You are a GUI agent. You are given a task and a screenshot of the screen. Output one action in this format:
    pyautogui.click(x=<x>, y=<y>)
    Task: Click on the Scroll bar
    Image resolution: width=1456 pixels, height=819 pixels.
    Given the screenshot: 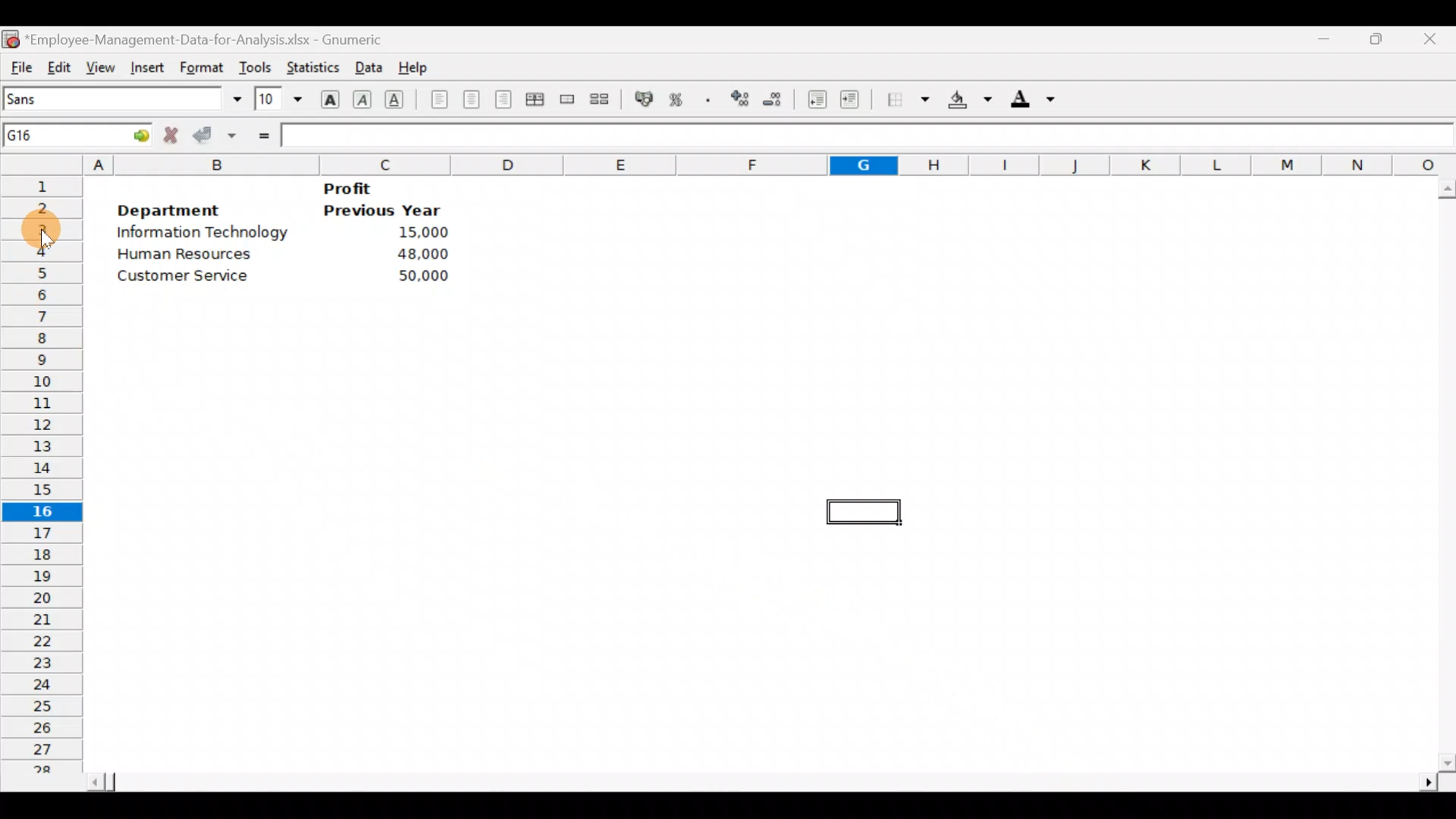 What is the action you would take?
    pyautogui.click(x=1443, y=475)
    